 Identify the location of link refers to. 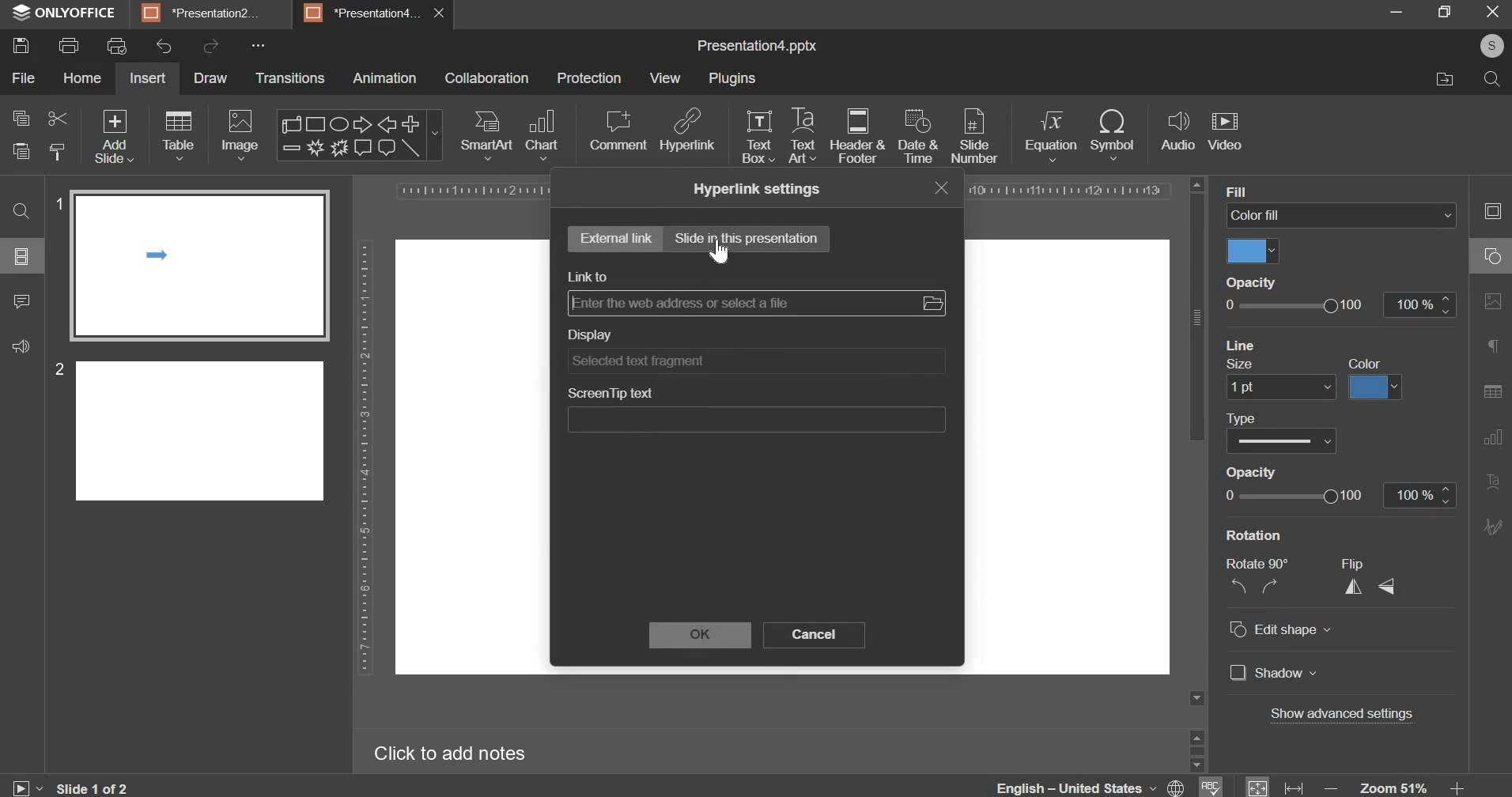
(757, 302).